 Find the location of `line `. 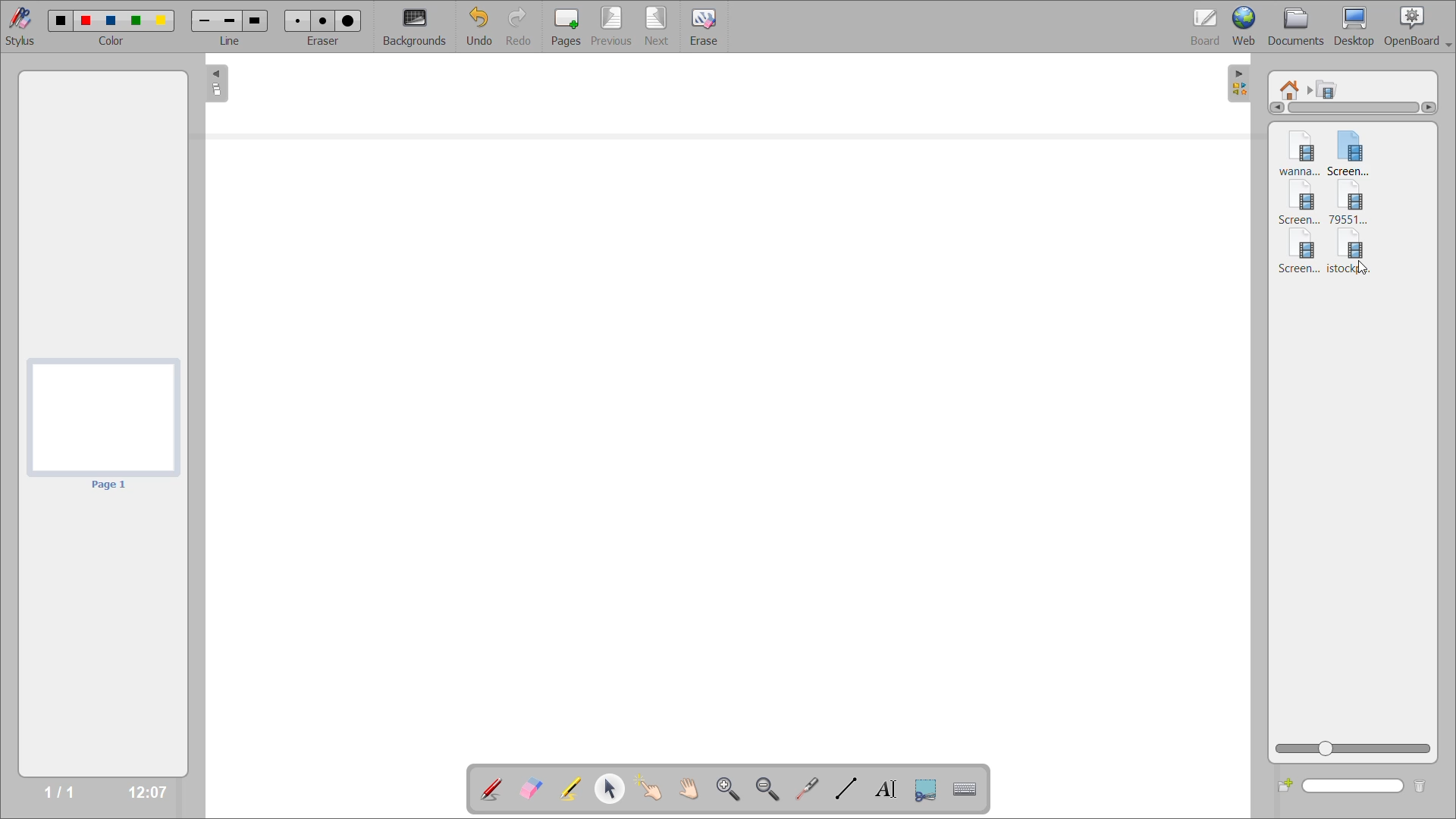

line  is located at coordinates (231, 43).